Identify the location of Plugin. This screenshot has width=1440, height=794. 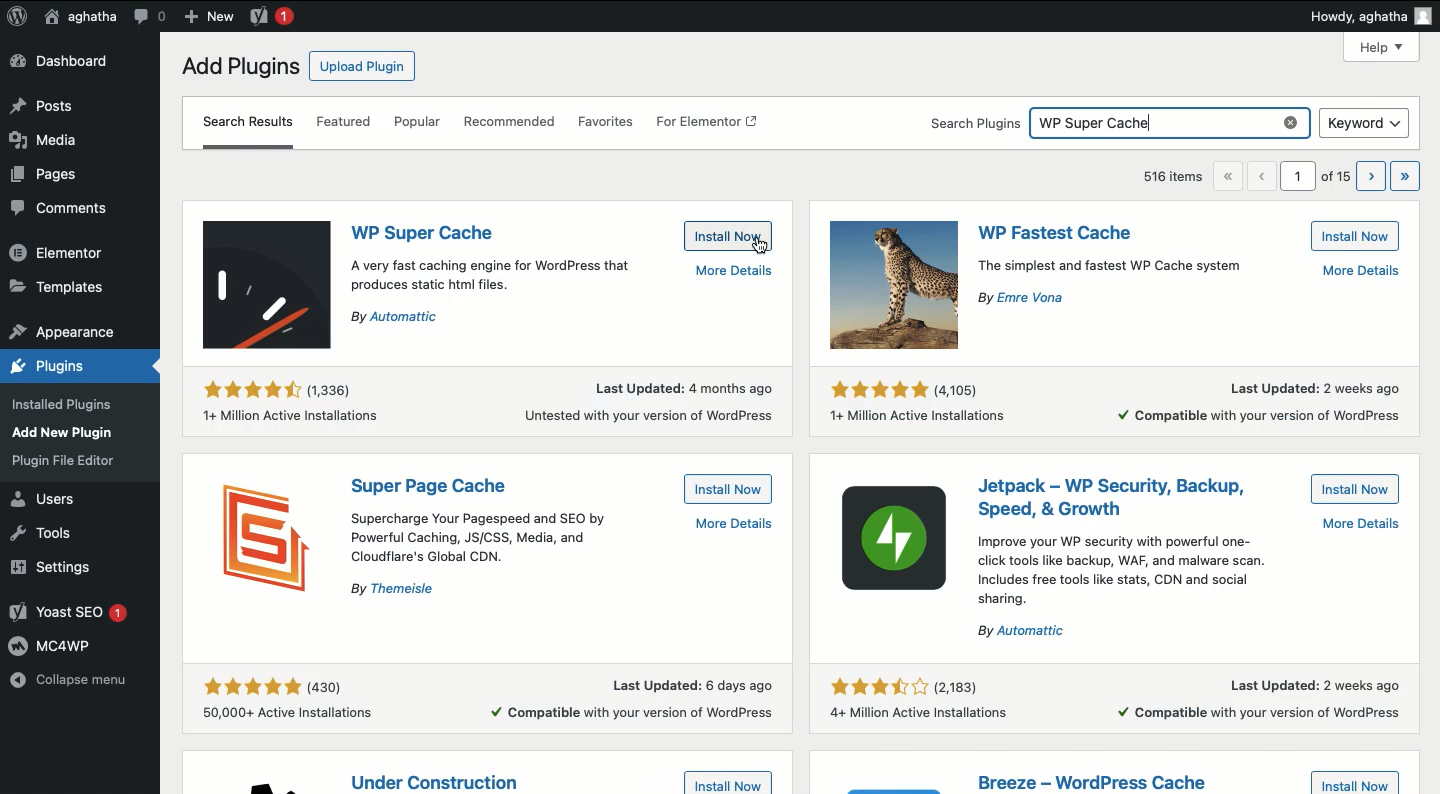
(1108, 778).